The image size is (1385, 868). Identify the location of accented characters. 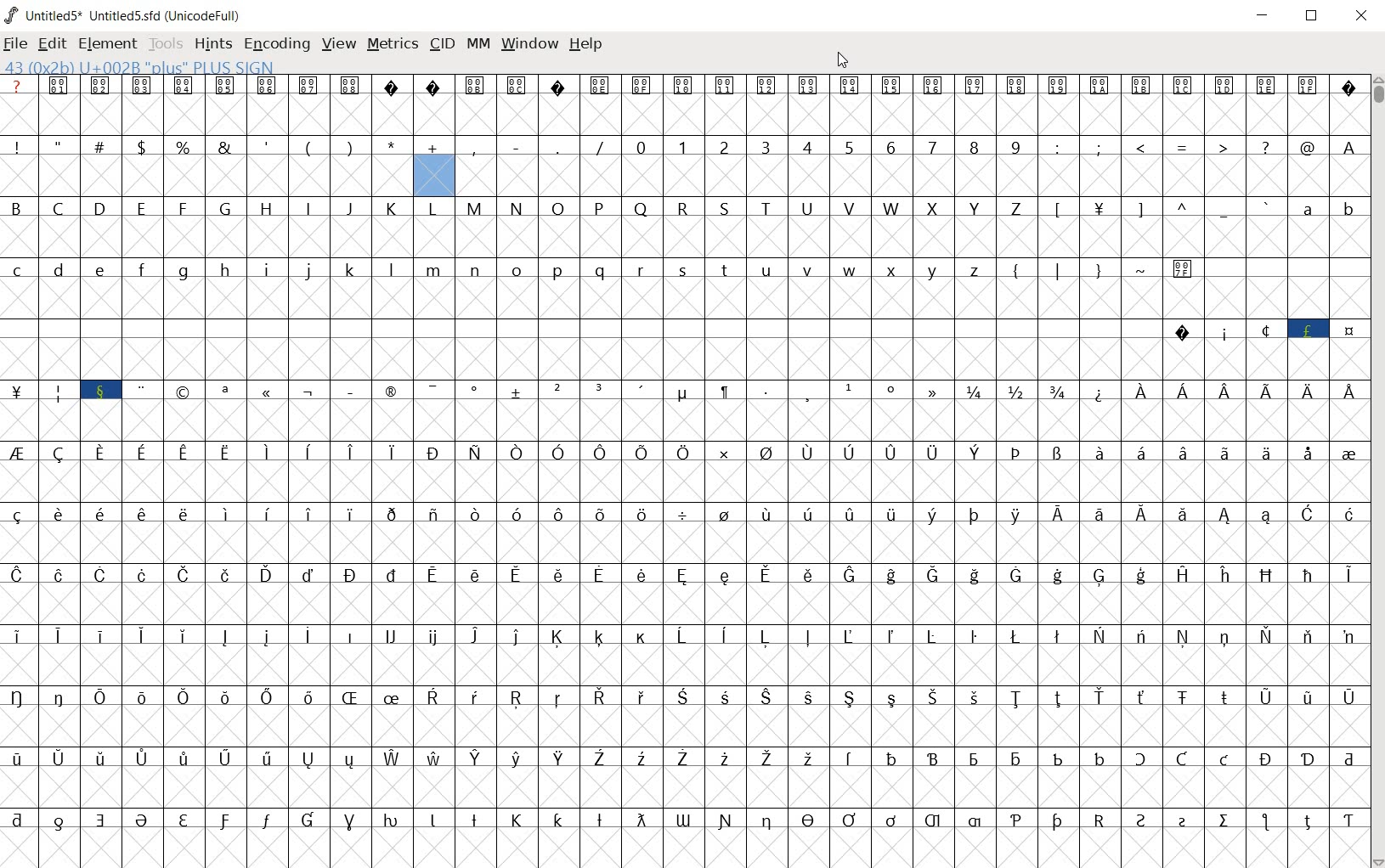
(866, 657).